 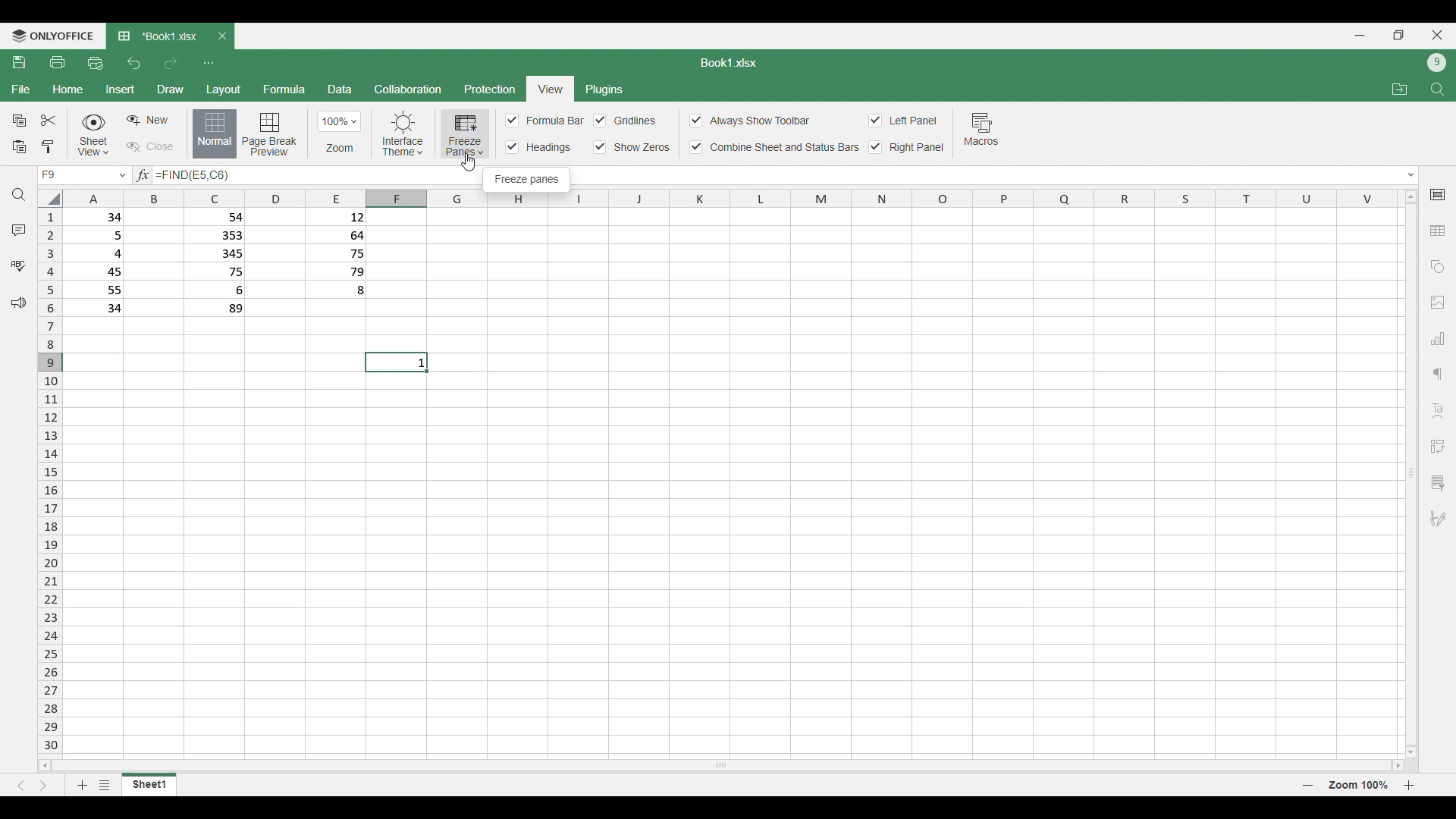 I want to click on input formula, so click(x=146, y=177).